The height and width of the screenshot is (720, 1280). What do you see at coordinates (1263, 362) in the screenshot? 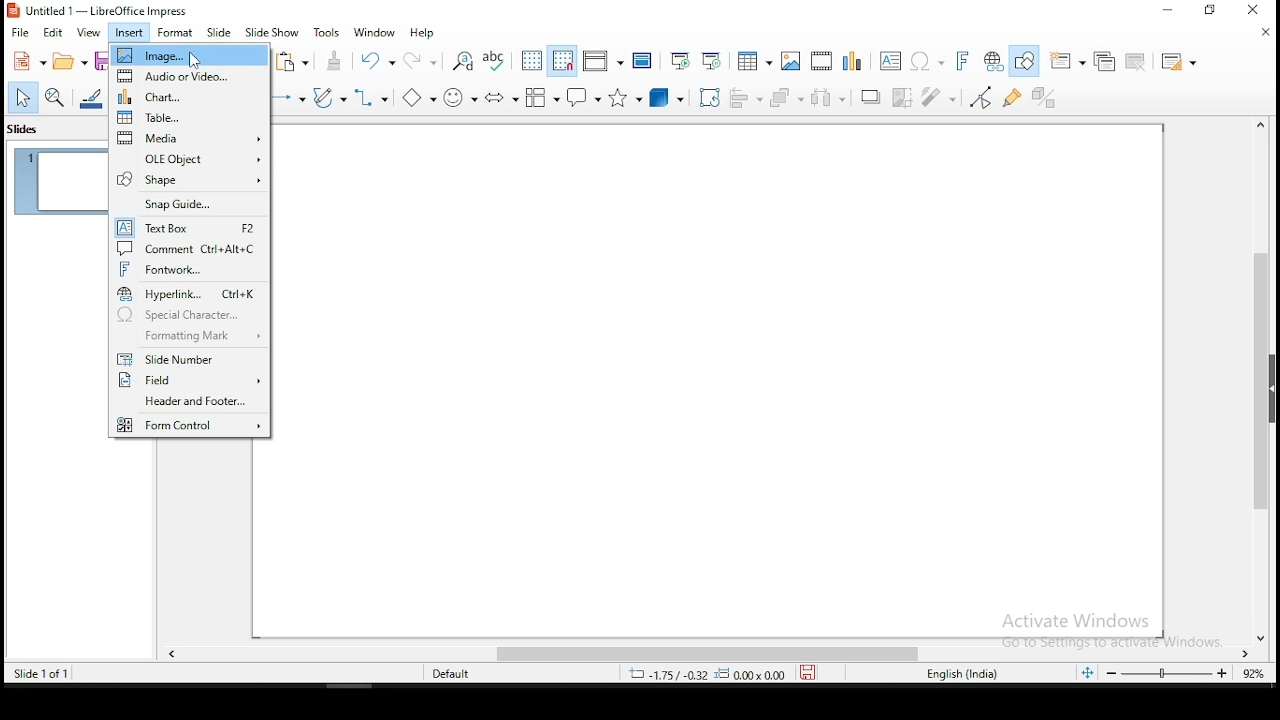
I see `scroll bar` at bounding box center [1263, 362].